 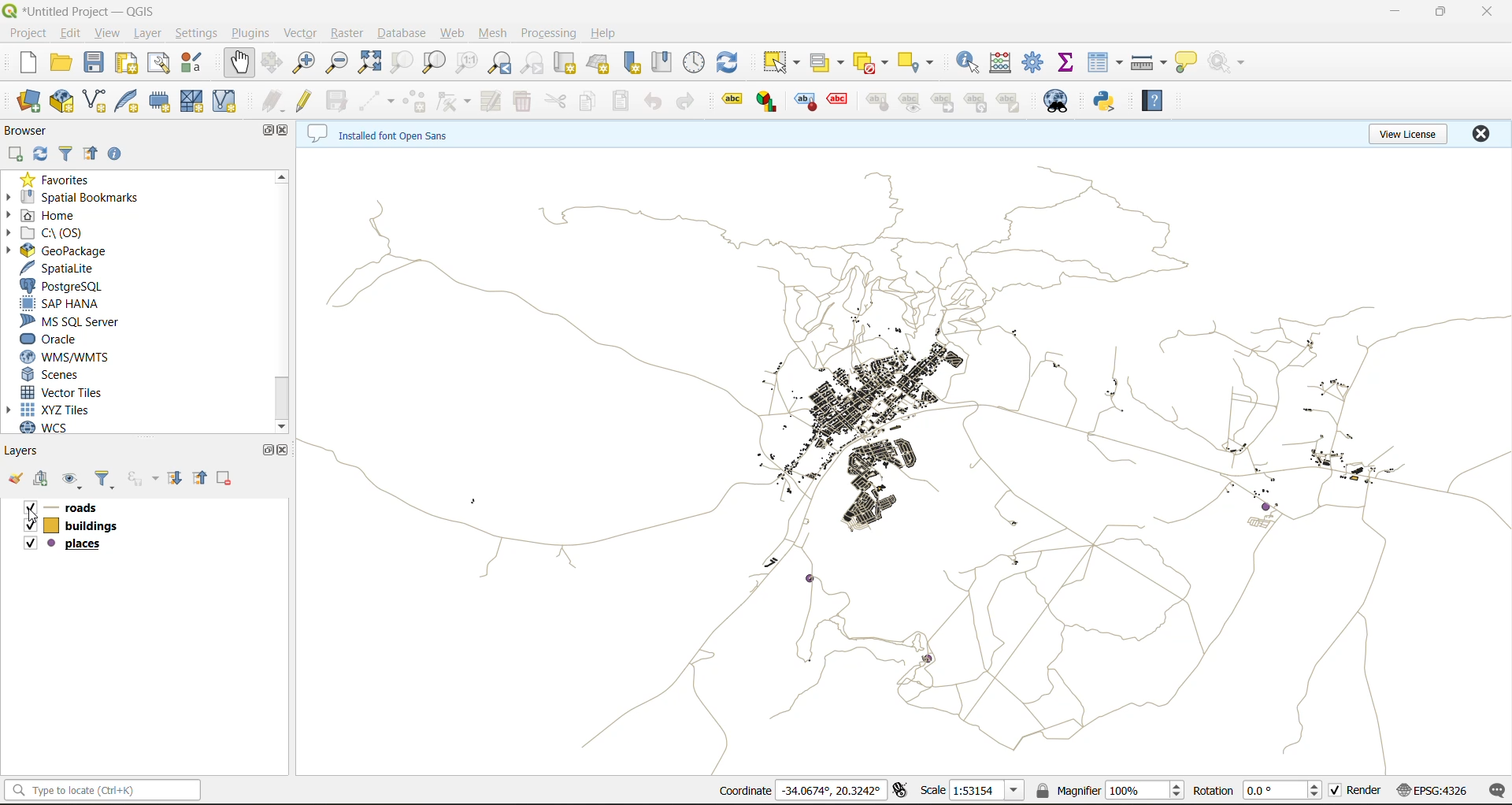 I want to click on delete, so click(x=524, y=102).